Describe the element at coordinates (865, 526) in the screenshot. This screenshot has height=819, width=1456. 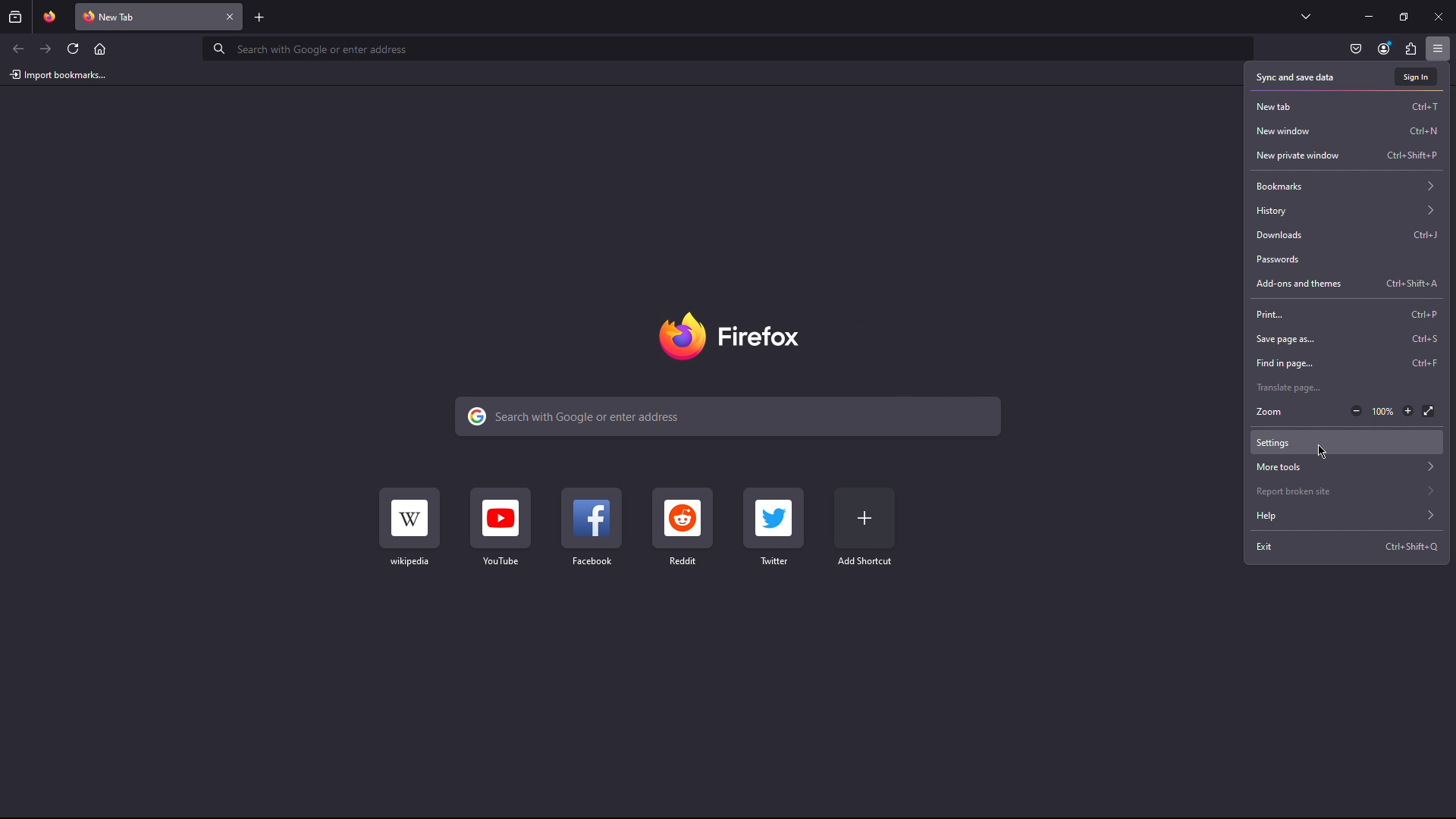
I see `Add Shortcut` at that location.